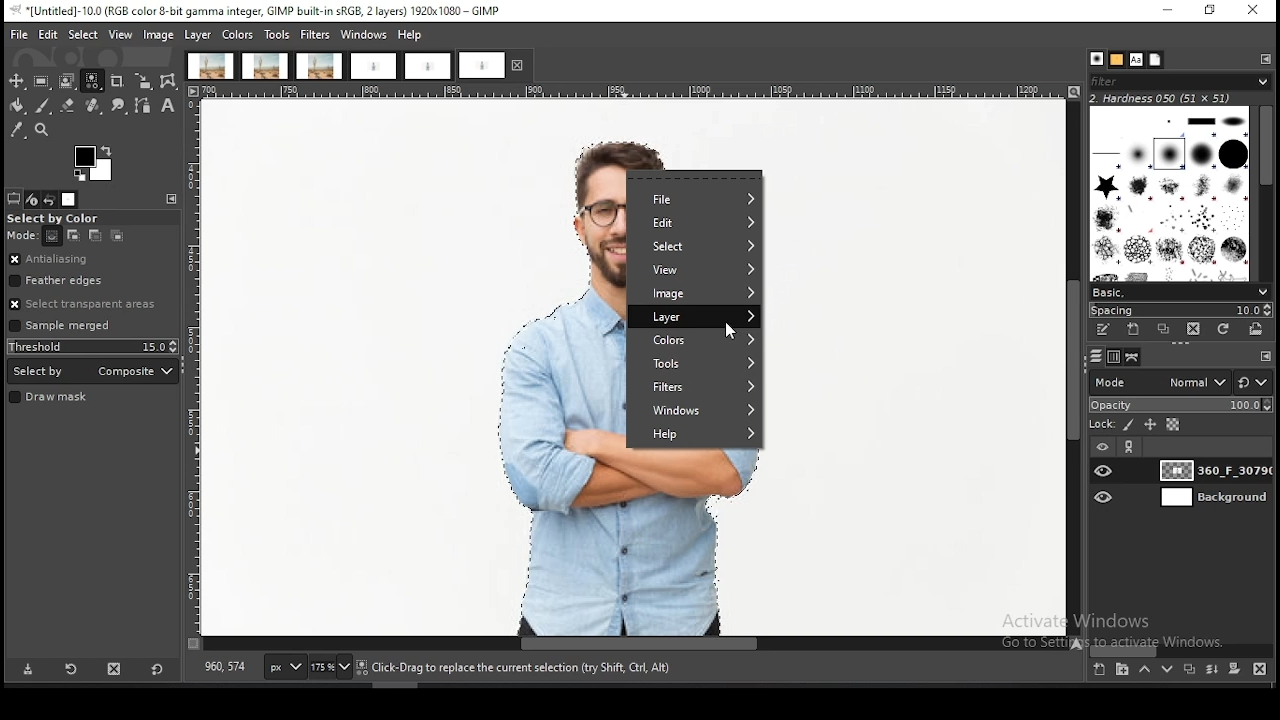 This screenshot has height=720, width=1280. I want to click on scroll bar, so click(1182, 650).